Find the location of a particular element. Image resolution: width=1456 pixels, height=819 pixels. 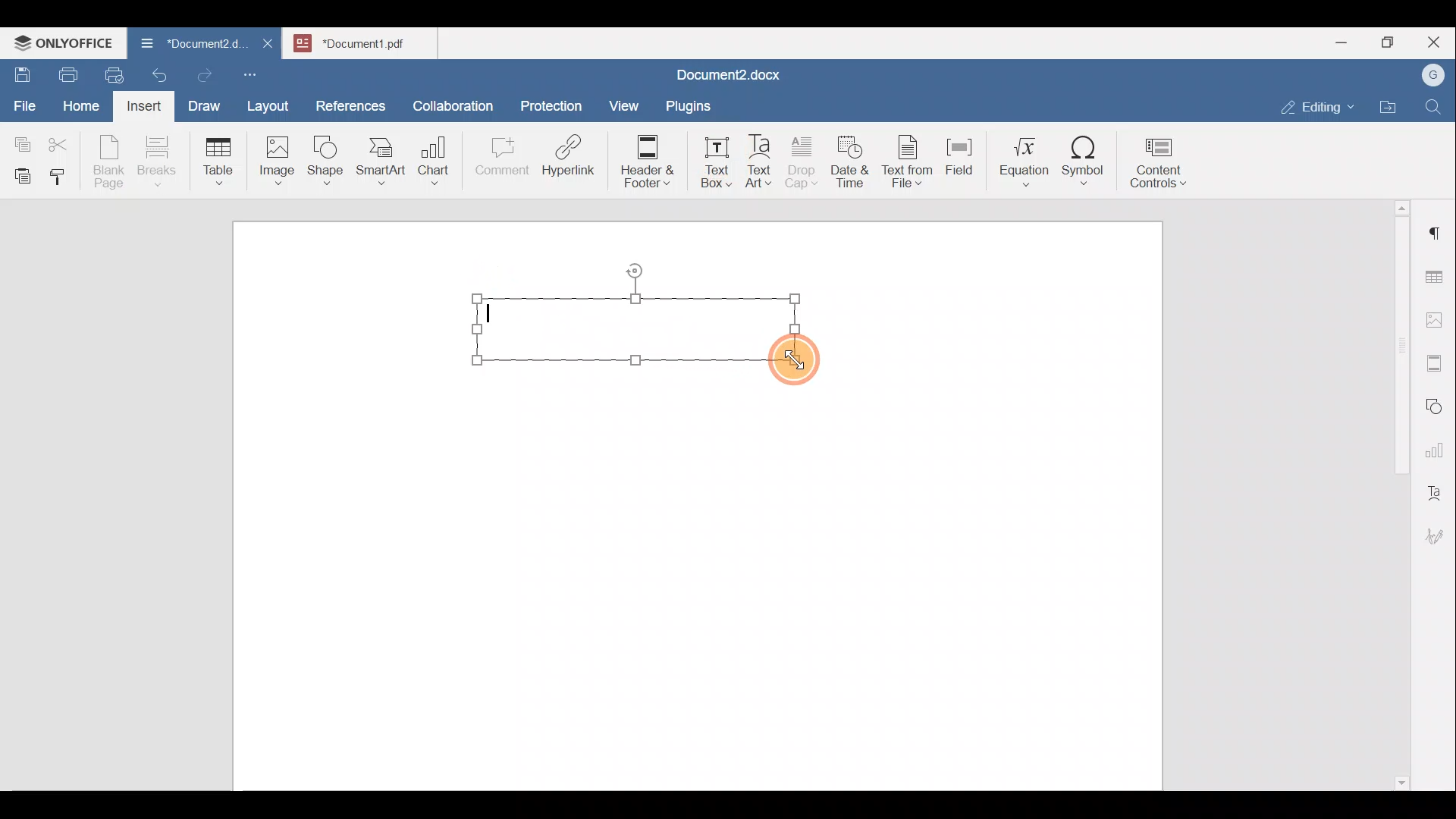

Document name is located at coordinates (725, 77).